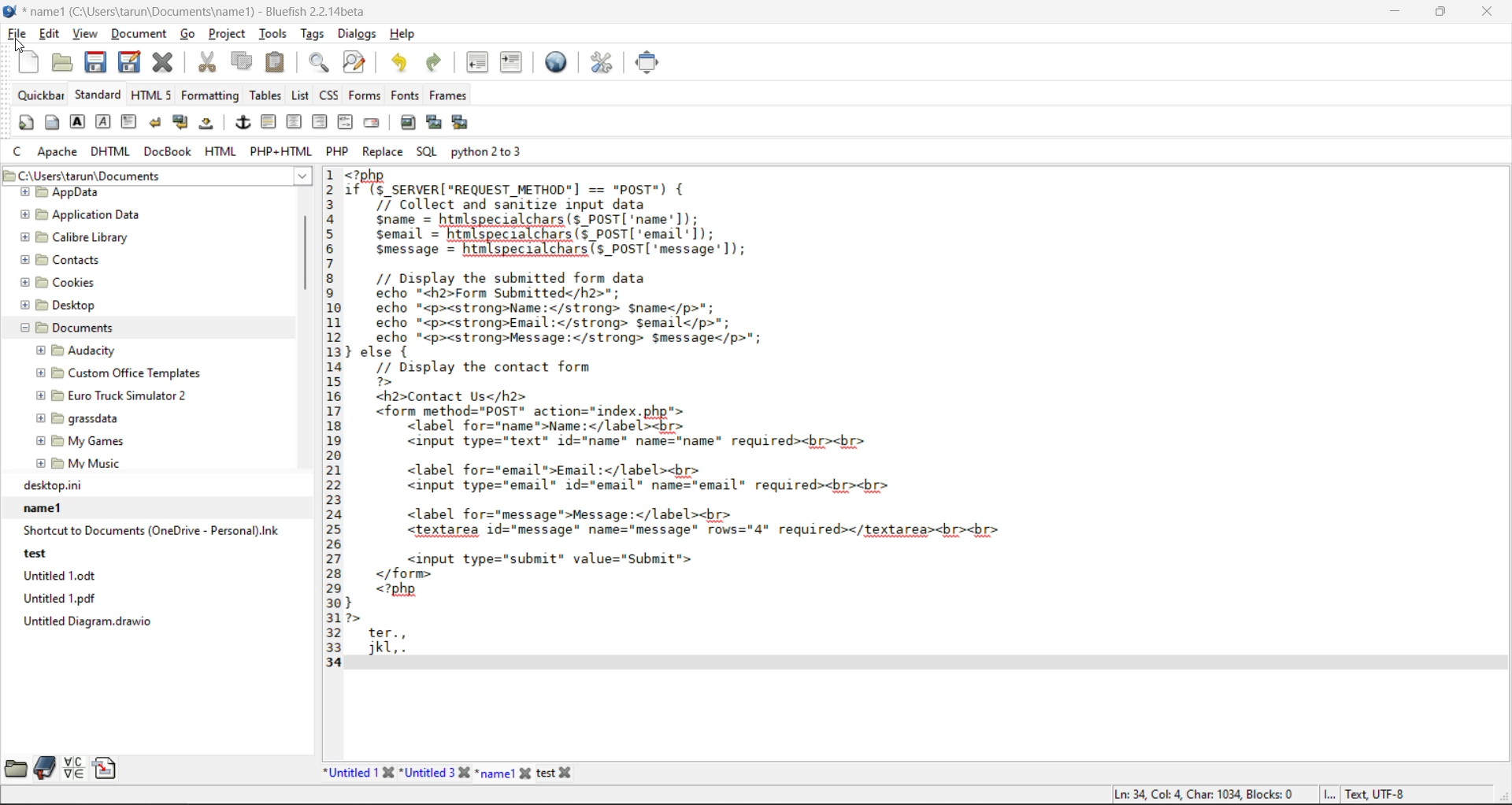 Image resolution: width=1512 pixels, height=805 pixels. What do you see at coordinates (433, 121) in the screenshot?
I see `insert thumbnail` at bounding box center [433, 121].